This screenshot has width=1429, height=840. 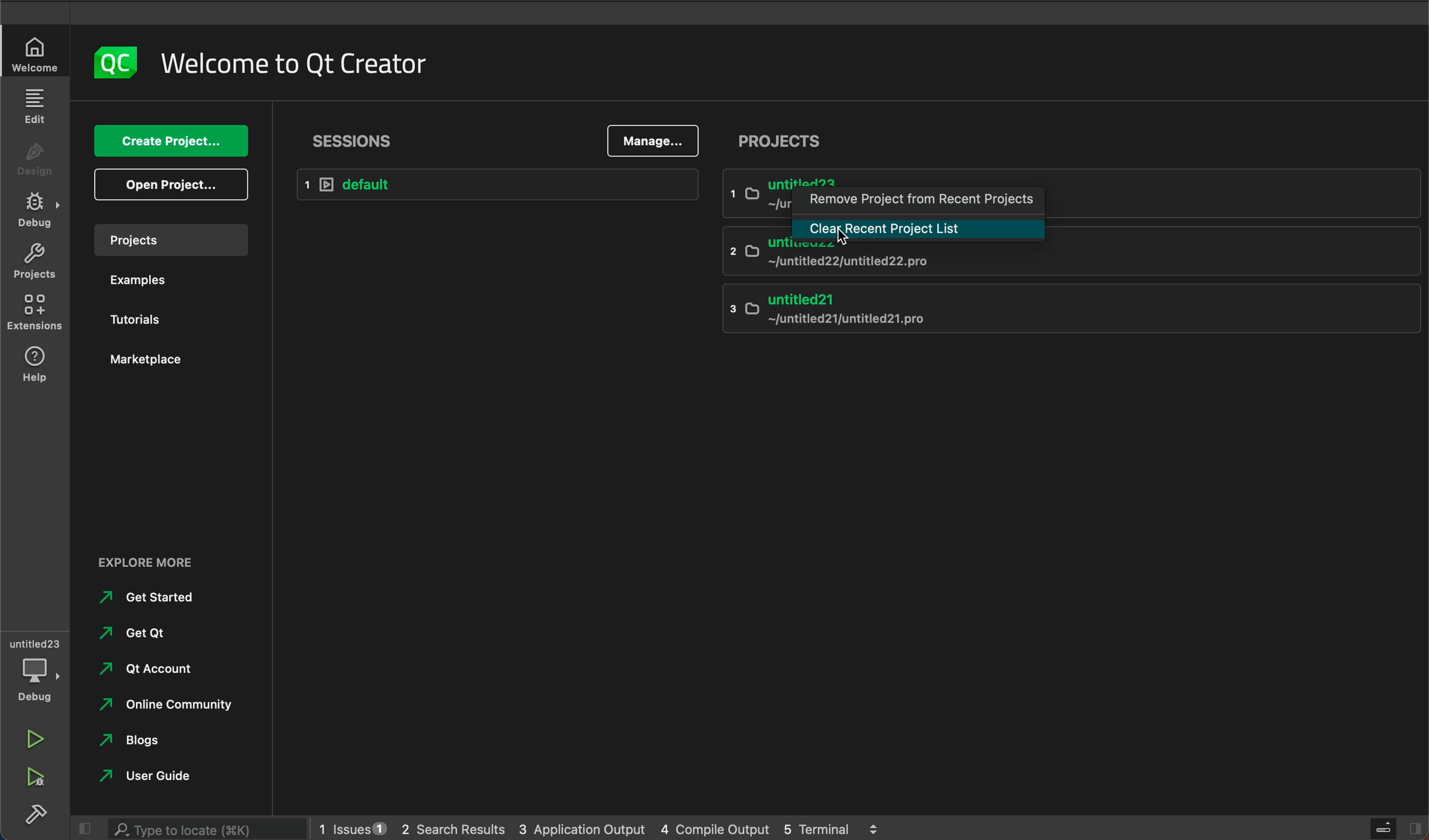 I want to click on get qt, so click(x=137, y=634).